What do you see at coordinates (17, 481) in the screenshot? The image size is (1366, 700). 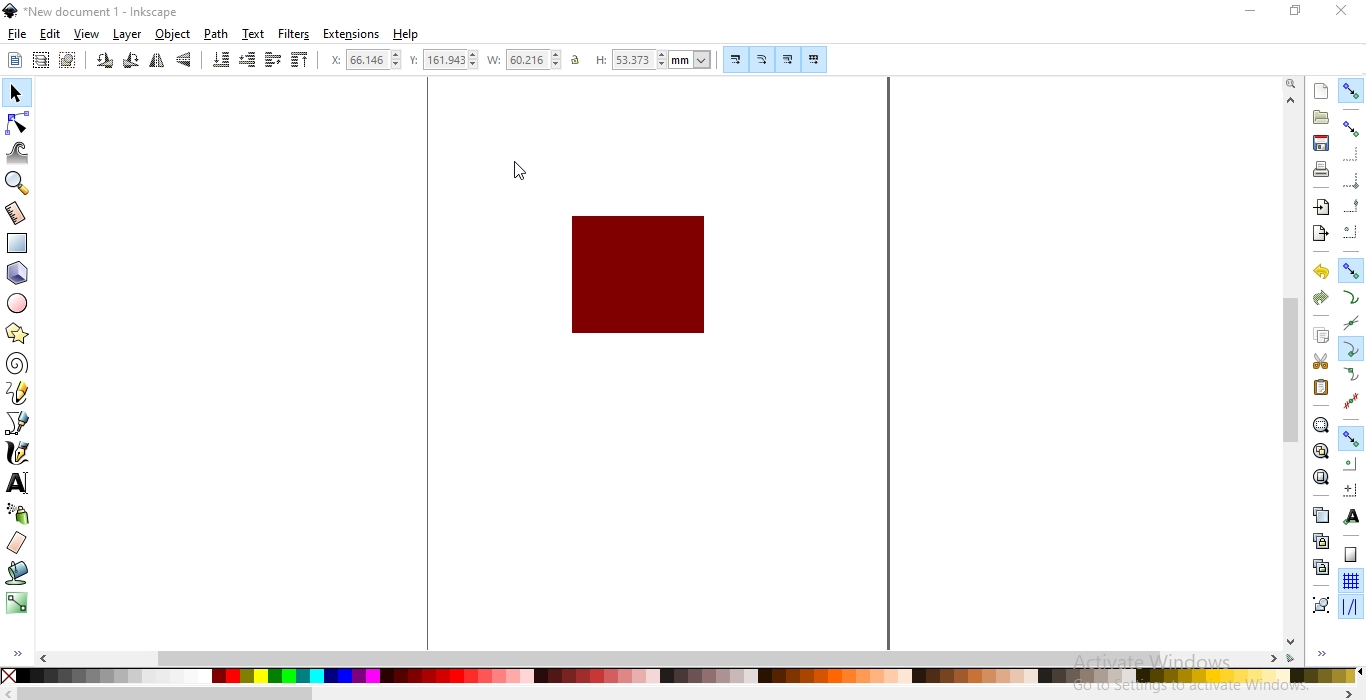 I see `create and edit text objects` at bounding box center [17, 481].